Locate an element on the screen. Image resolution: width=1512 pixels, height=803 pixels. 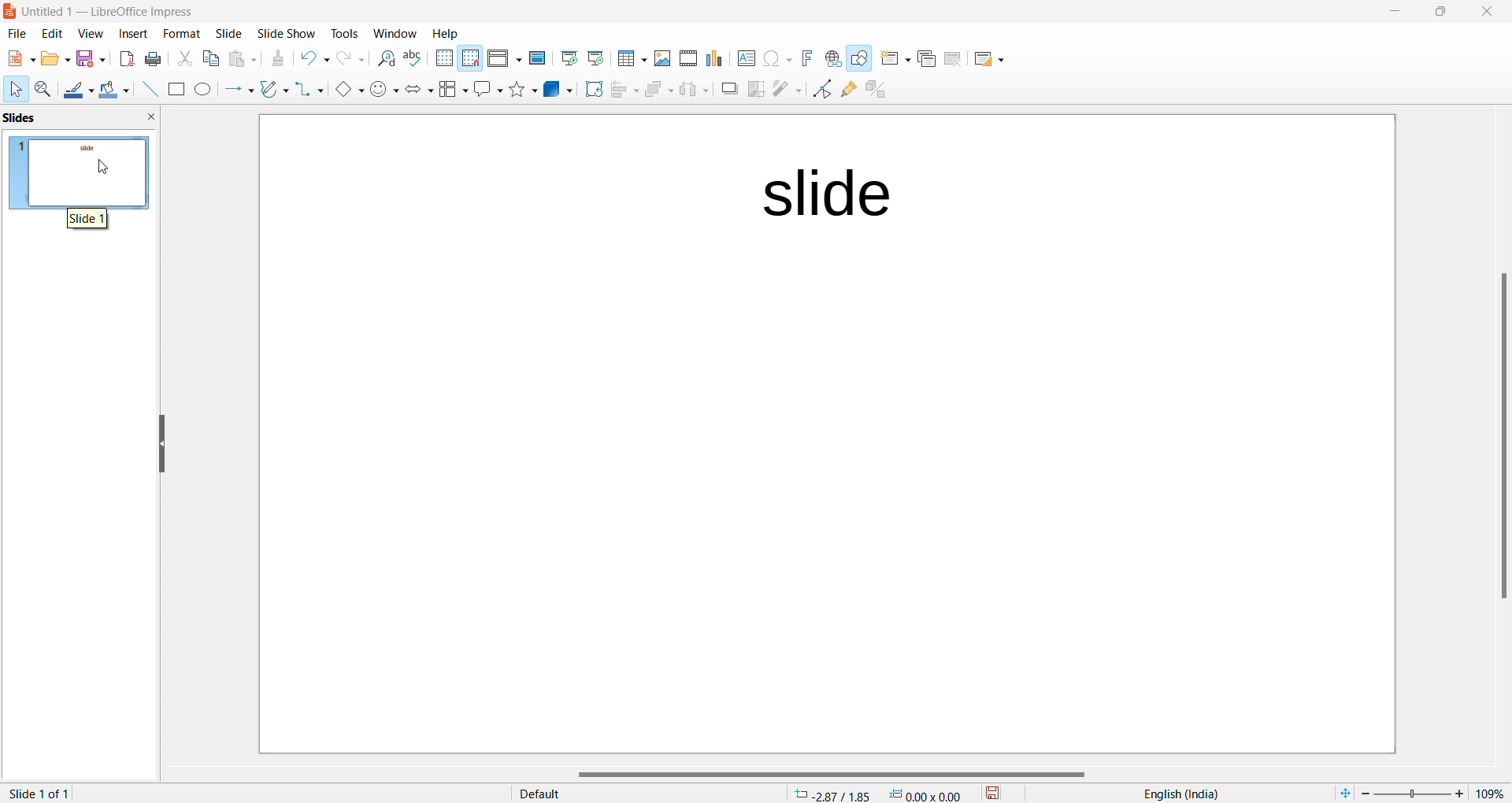
zoom slider is located at coordinates (1416, 792).